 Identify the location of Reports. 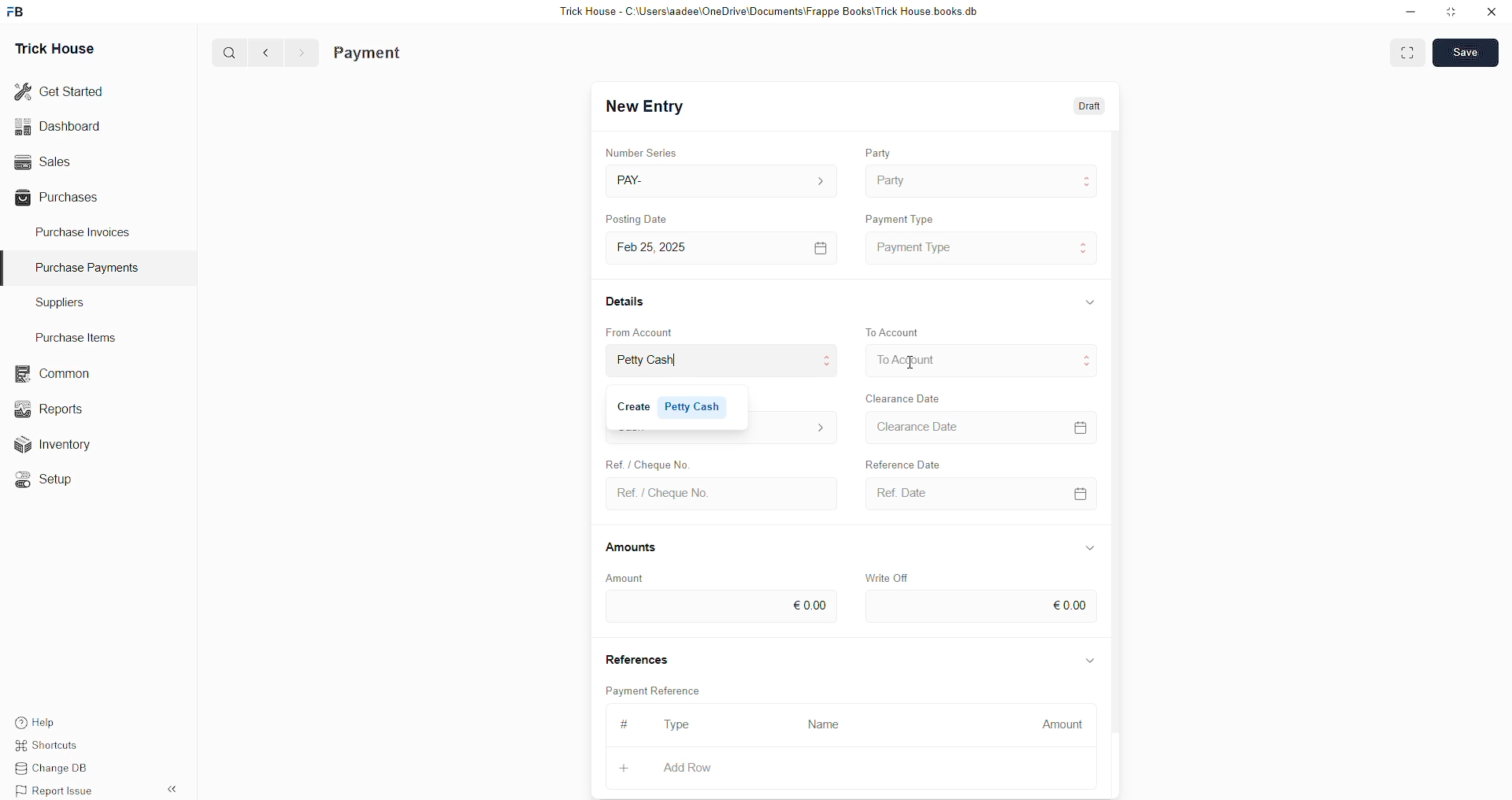
(54, 407).